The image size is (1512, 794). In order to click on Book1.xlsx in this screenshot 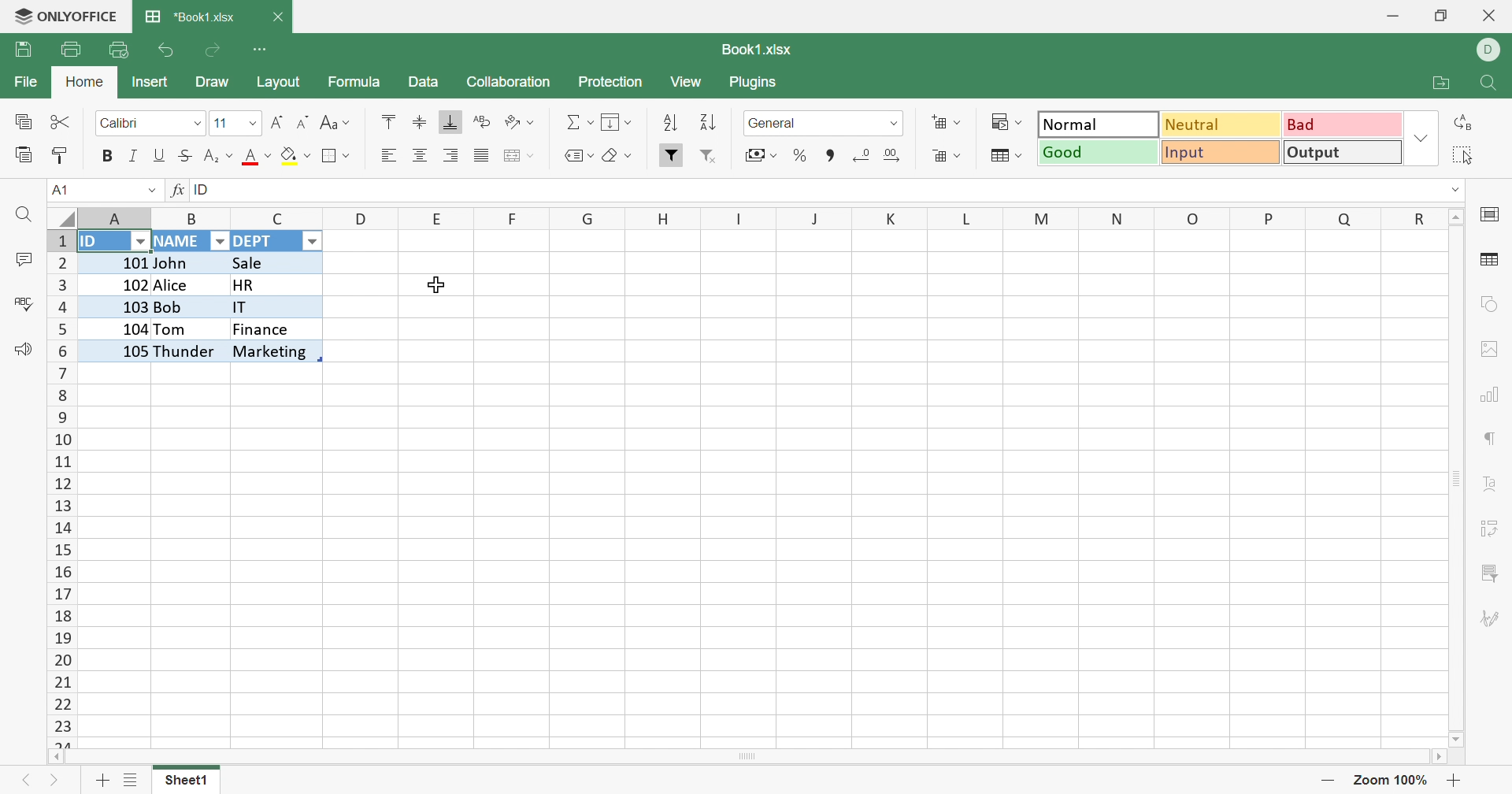, I will do `click(764, 51)`.